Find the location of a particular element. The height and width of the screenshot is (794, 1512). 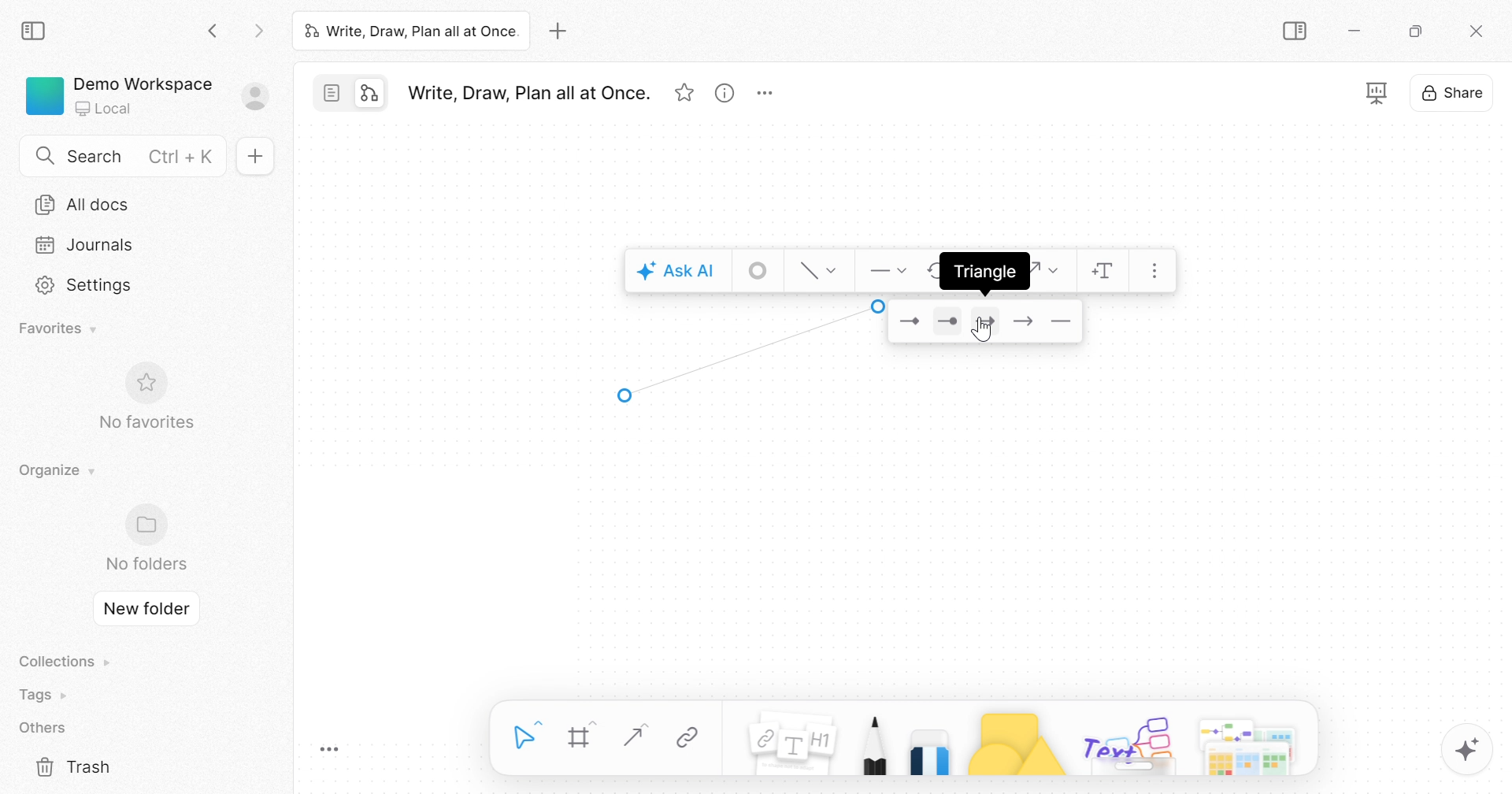

Eraser is located at coordinates (931, 748).